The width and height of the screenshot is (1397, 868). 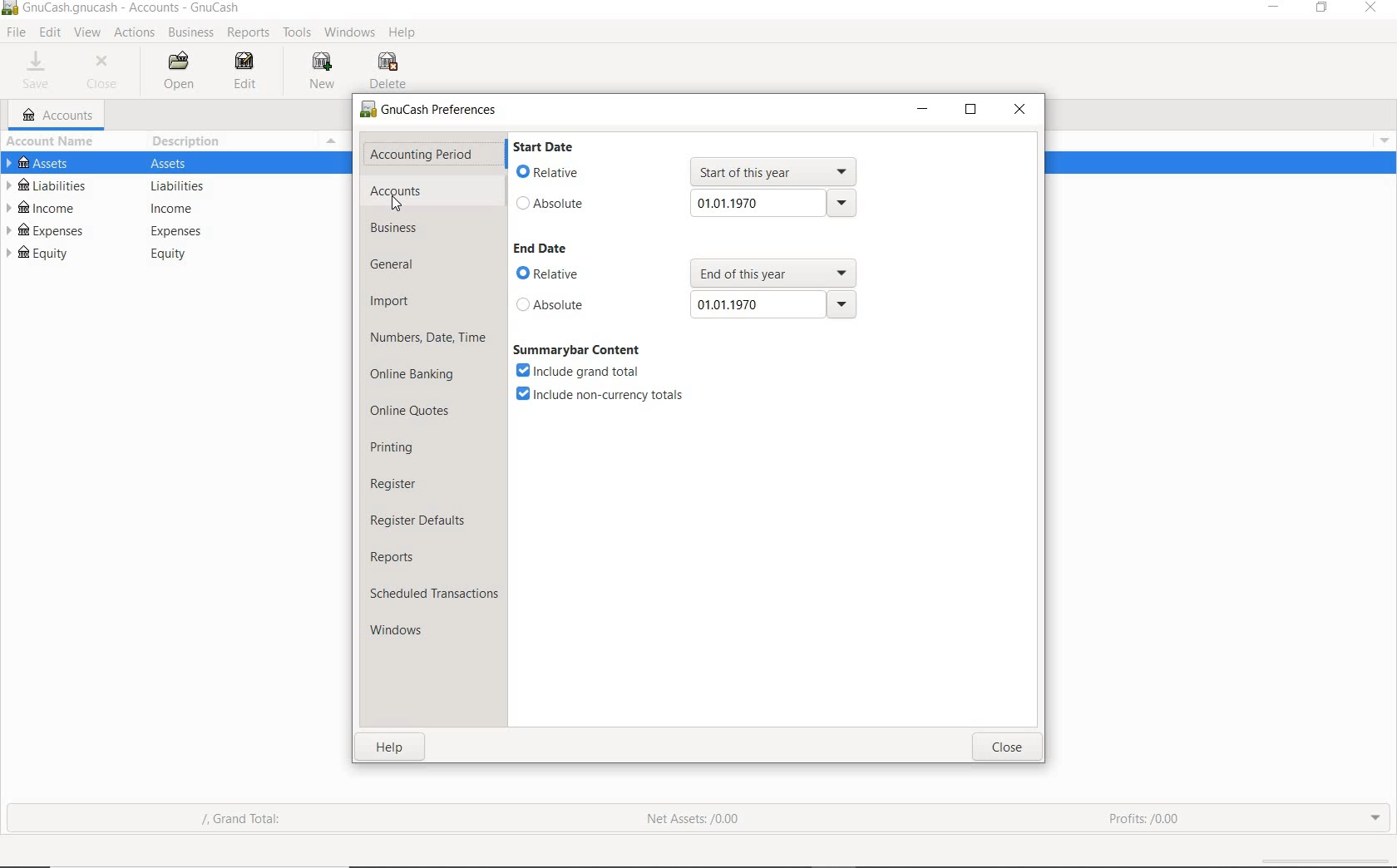 What do you see at coordinates (1021, 108) in the screenshot?
I see `close` at bounding box center [1021, 108].